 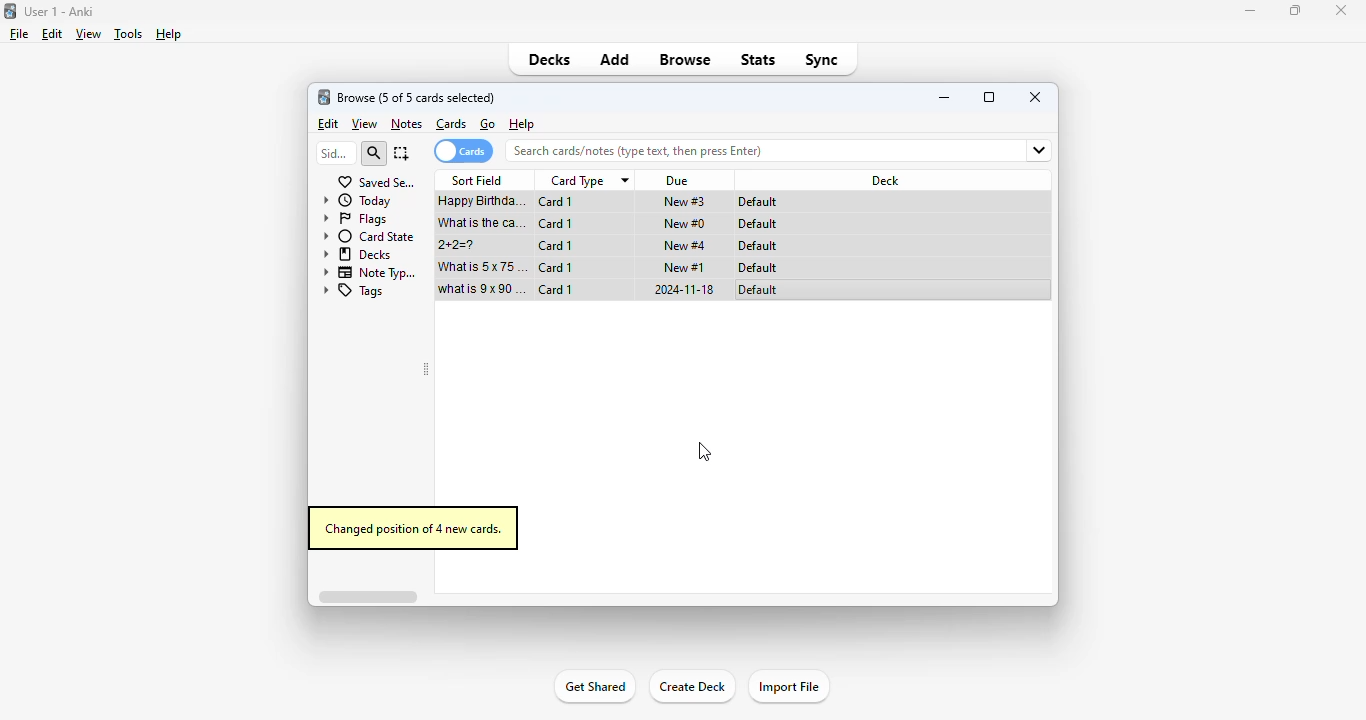 I want to click on default, so click(x=757, y=246).